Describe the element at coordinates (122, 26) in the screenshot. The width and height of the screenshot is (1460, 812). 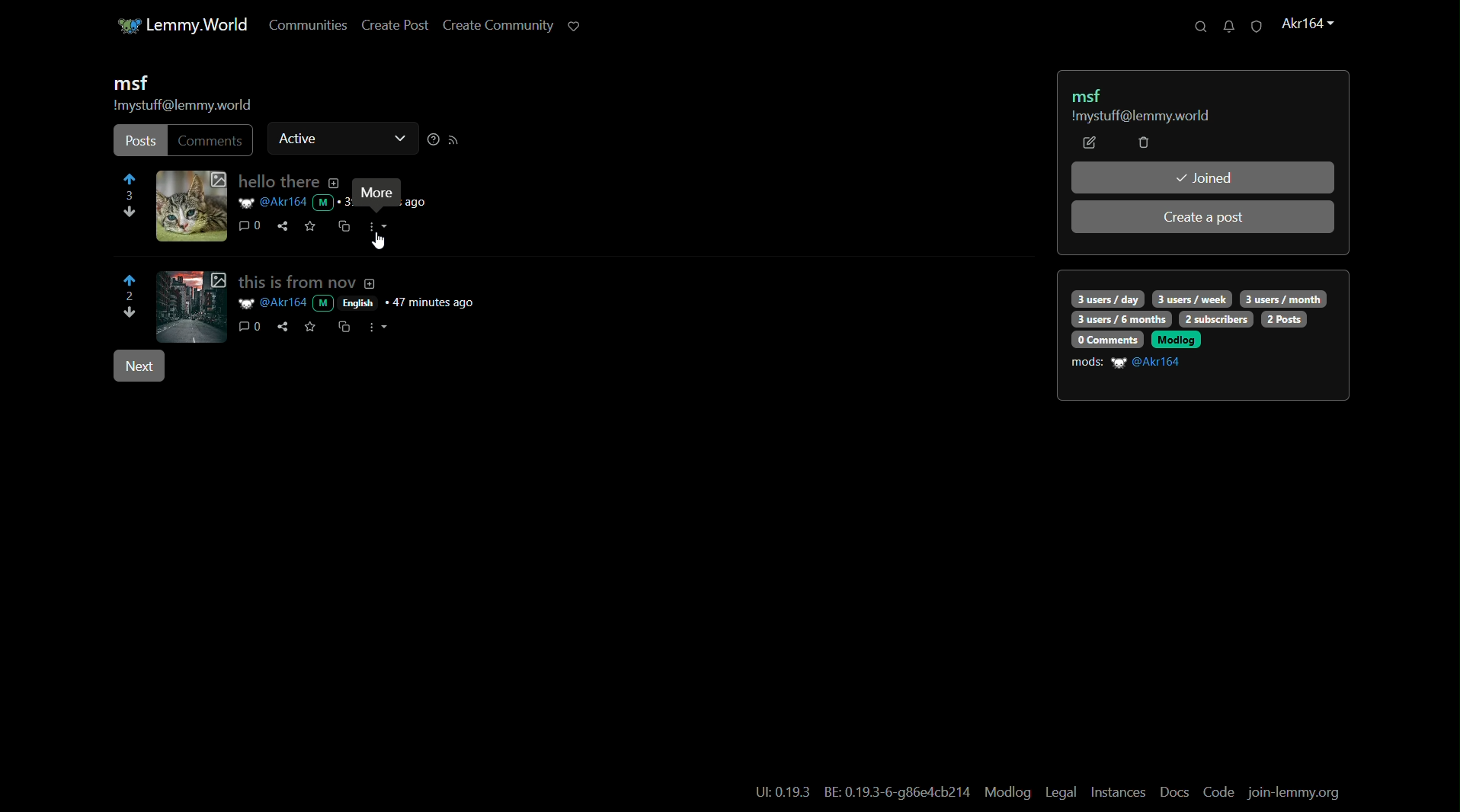
I see `icon` at that location.